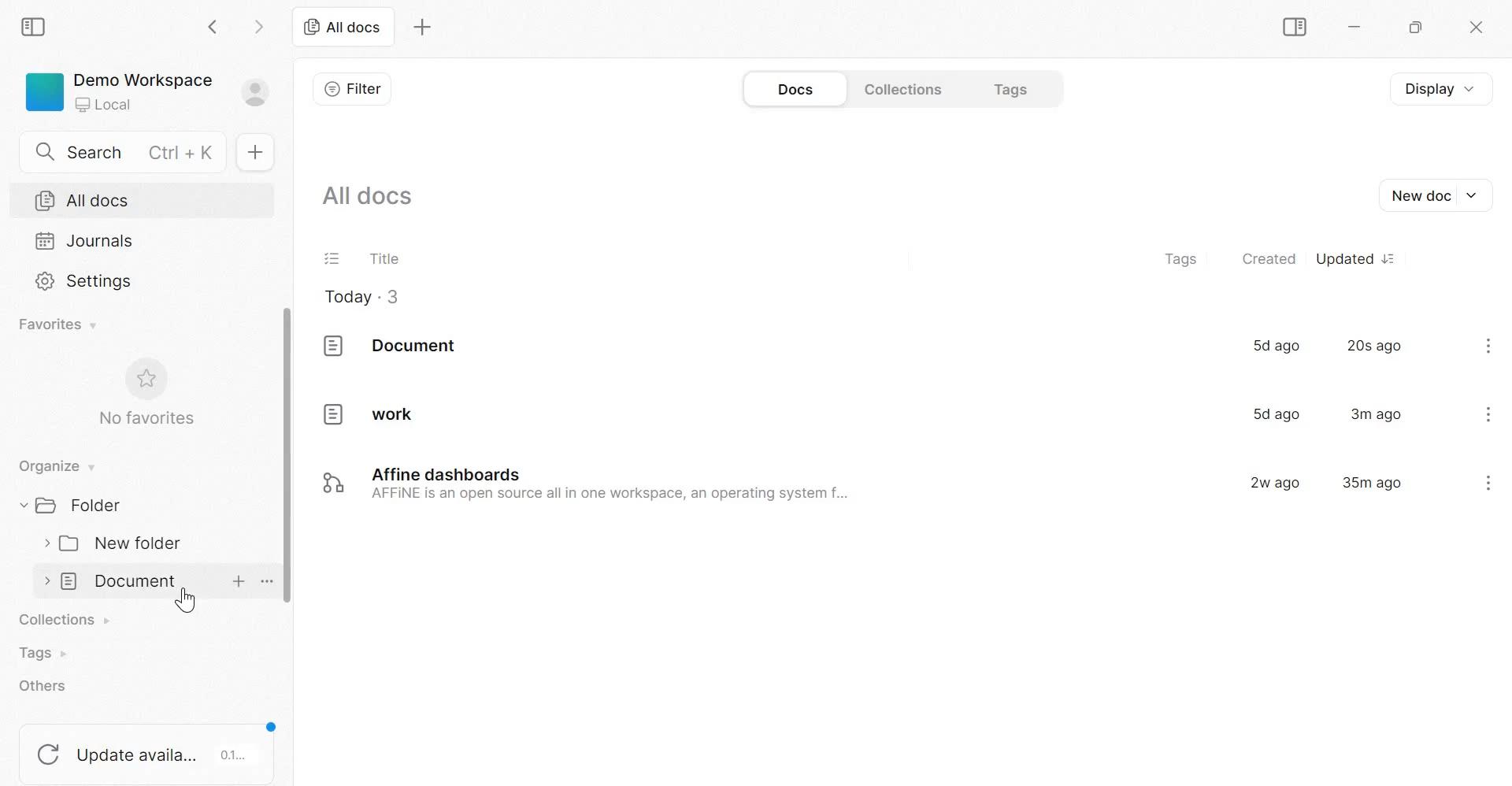 The height and width of the screenshot is (786, 1512). Describe the element at coordinates (900, 89) in the screenshot. I see `Collections` at that location.